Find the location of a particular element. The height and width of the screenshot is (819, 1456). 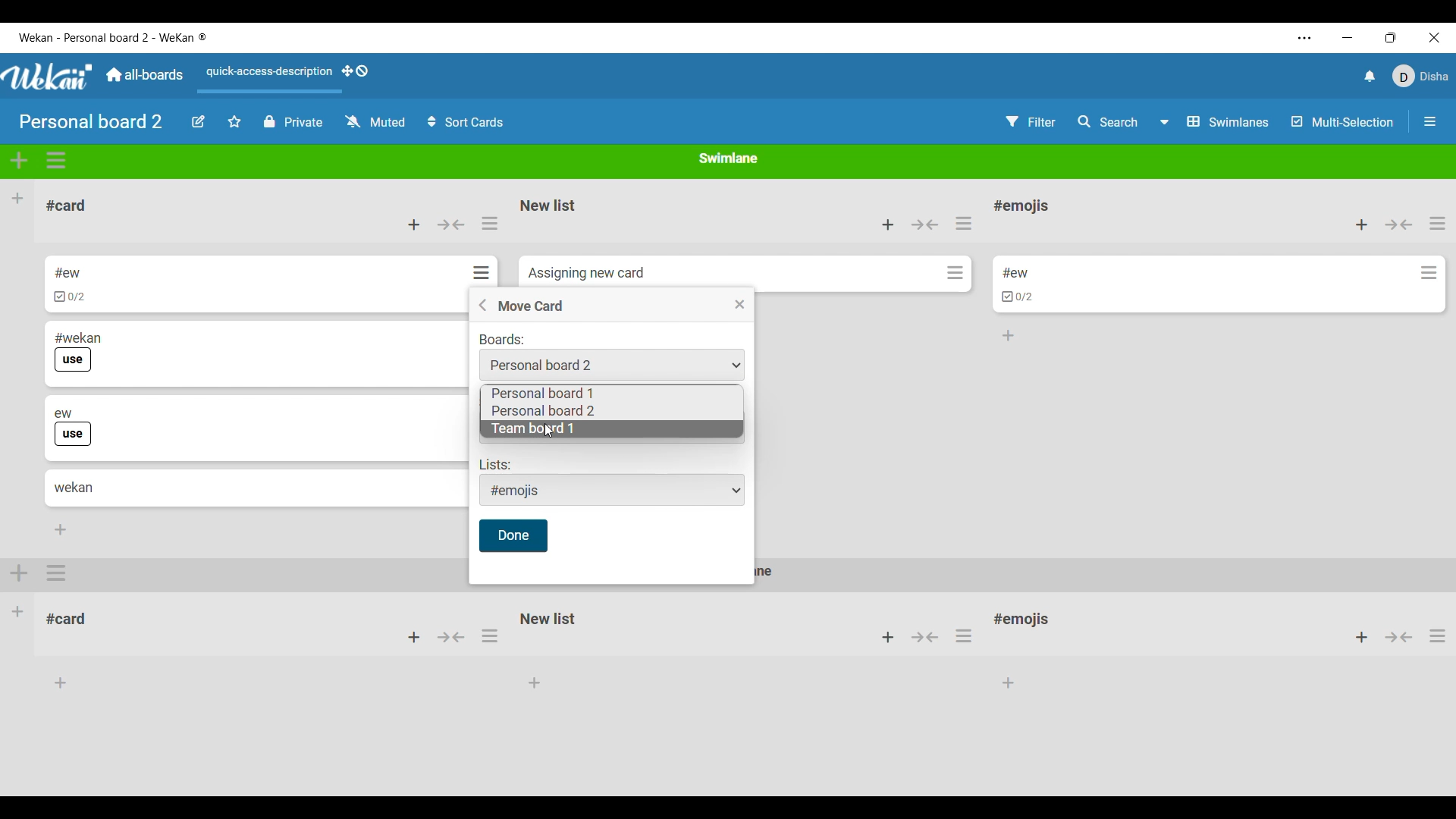

More settings is located at coordinates (1305, 38).